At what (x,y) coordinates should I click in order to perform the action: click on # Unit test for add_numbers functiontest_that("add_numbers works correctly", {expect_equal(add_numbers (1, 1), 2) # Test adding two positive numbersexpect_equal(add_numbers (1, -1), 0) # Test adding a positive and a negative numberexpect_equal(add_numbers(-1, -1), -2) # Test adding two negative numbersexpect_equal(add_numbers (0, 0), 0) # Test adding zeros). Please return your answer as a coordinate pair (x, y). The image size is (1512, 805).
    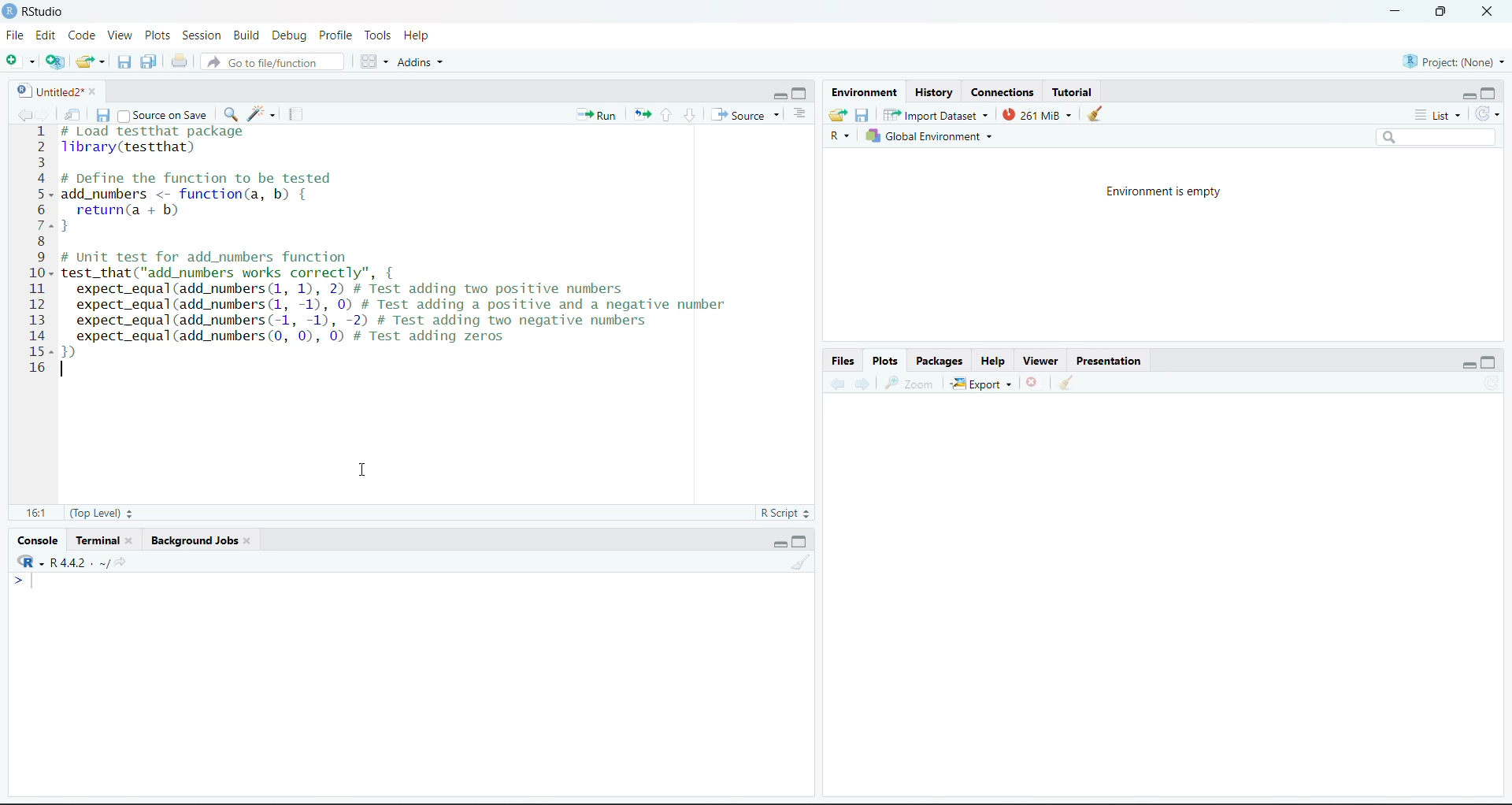
    Looking at the image, I should click on (398, 305).